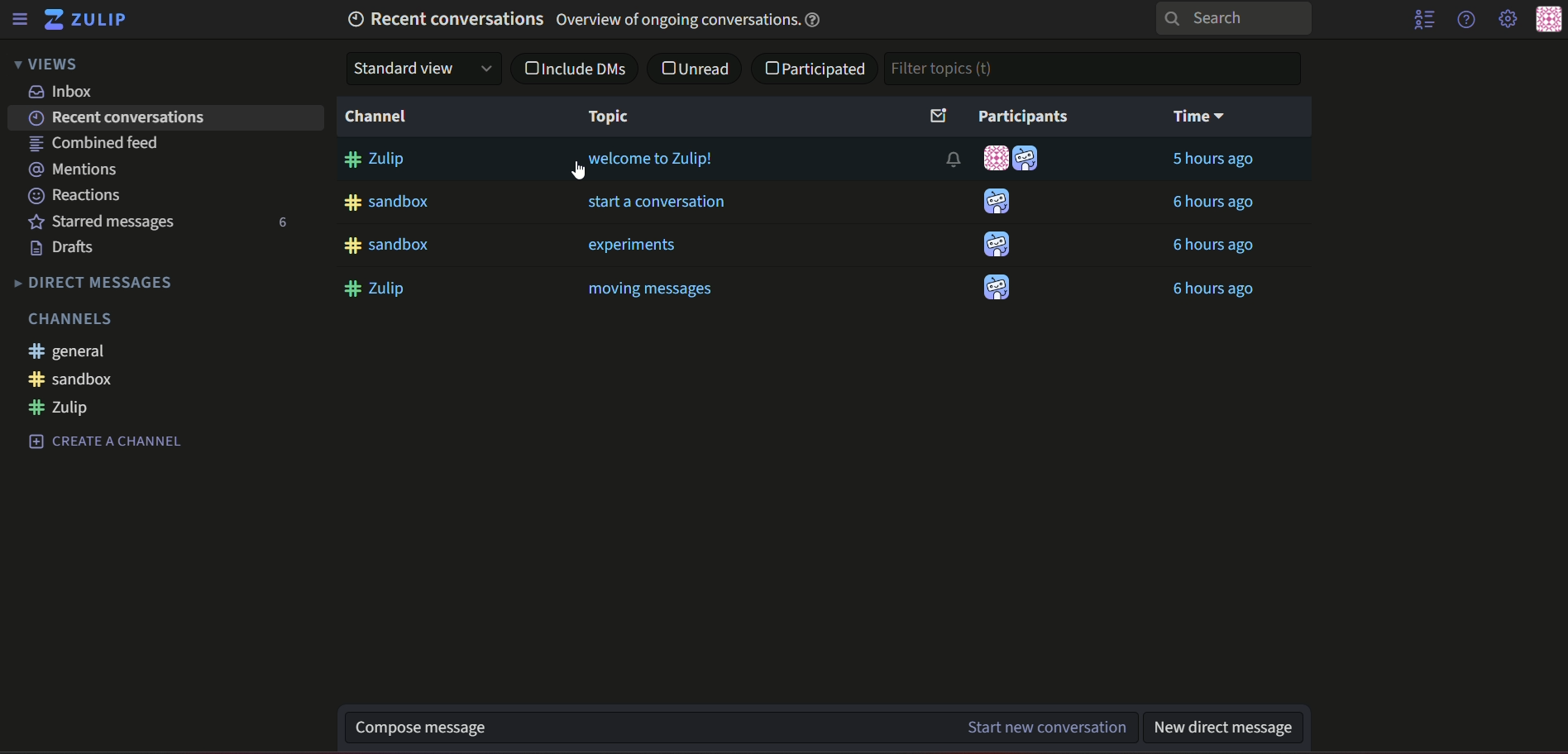 The height and width of the screenshot is (754, 1568). Describe the element at coordinates (1214, 246) in the screenshot. I see `6 hours ago` at that location.